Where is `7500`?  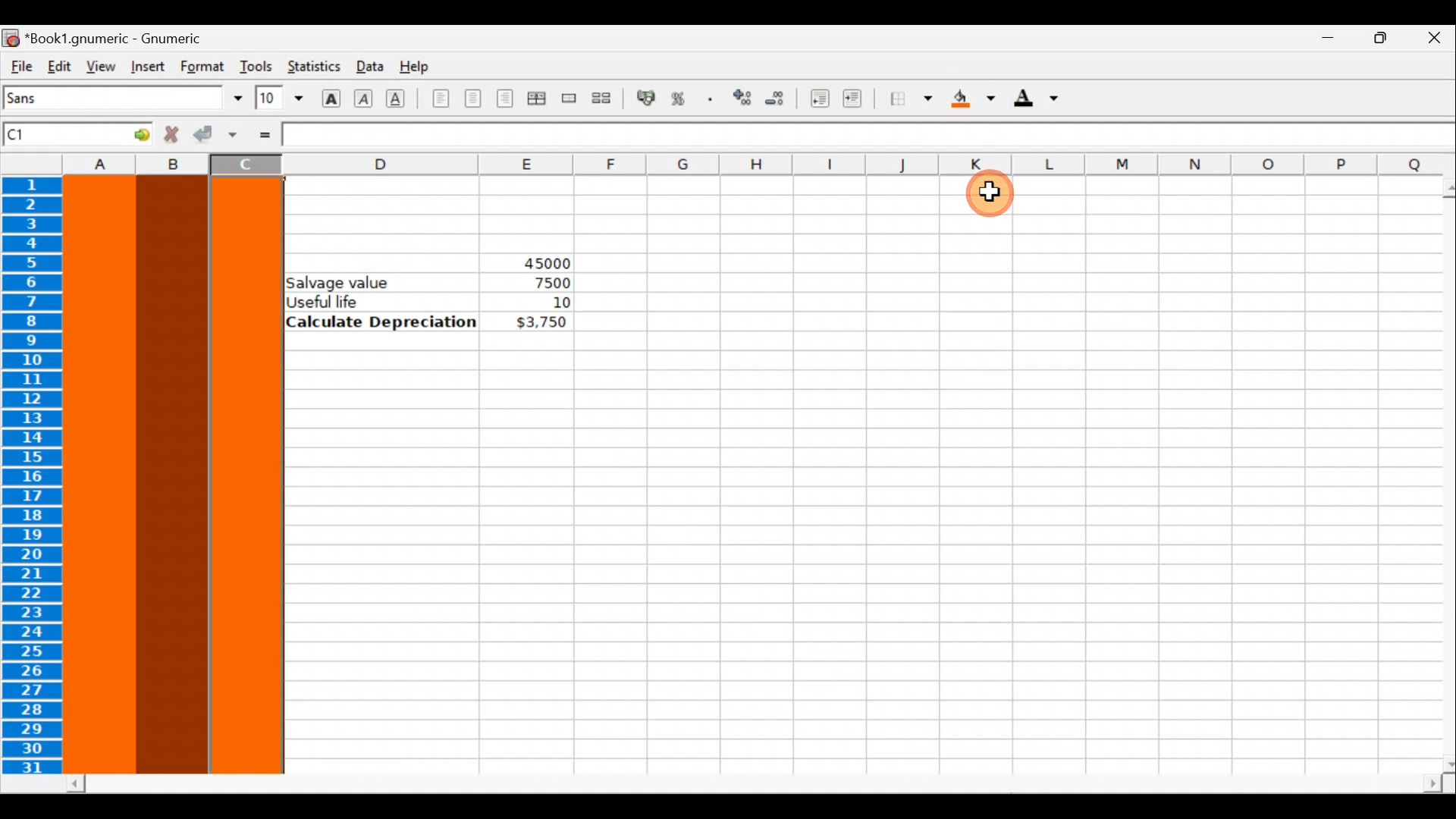
7500 is located at coordinates (548, 283).